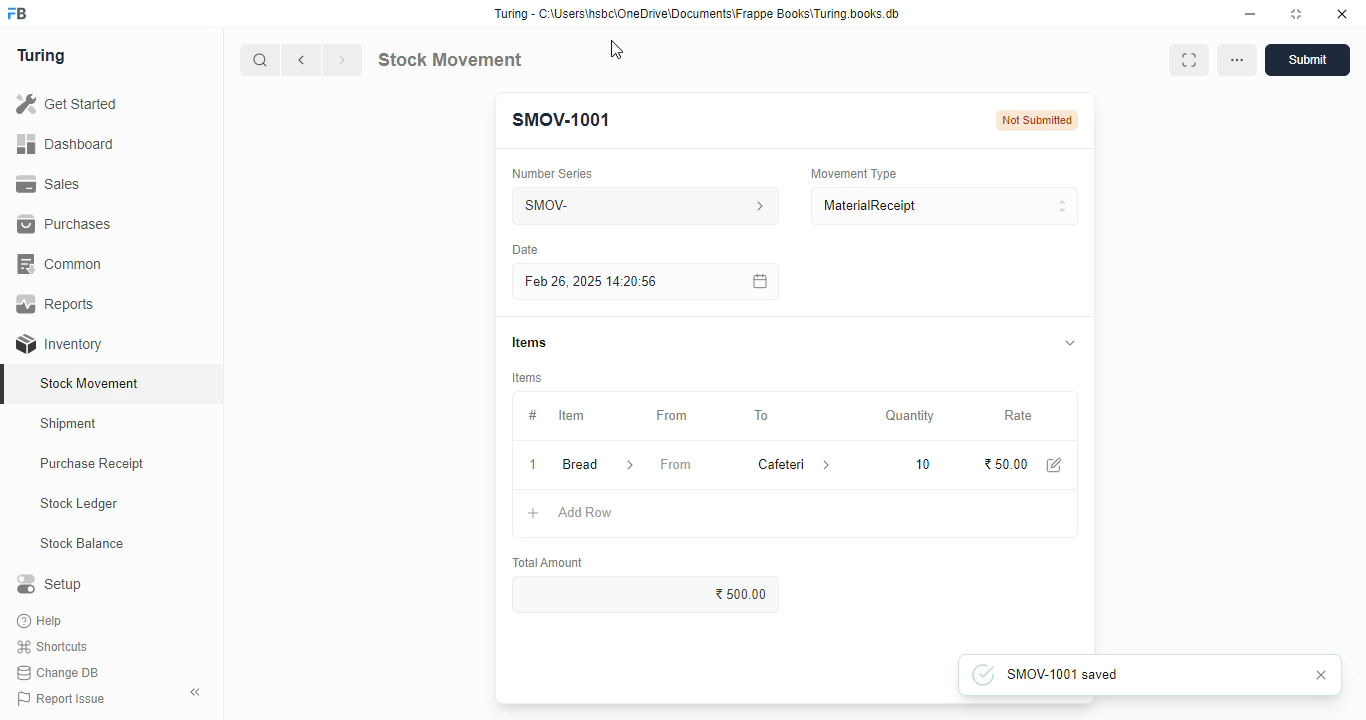  What do you see at coordinates (776, 464) in the screenshot?
I see `cafeteria` at bounding box center [776, 464].